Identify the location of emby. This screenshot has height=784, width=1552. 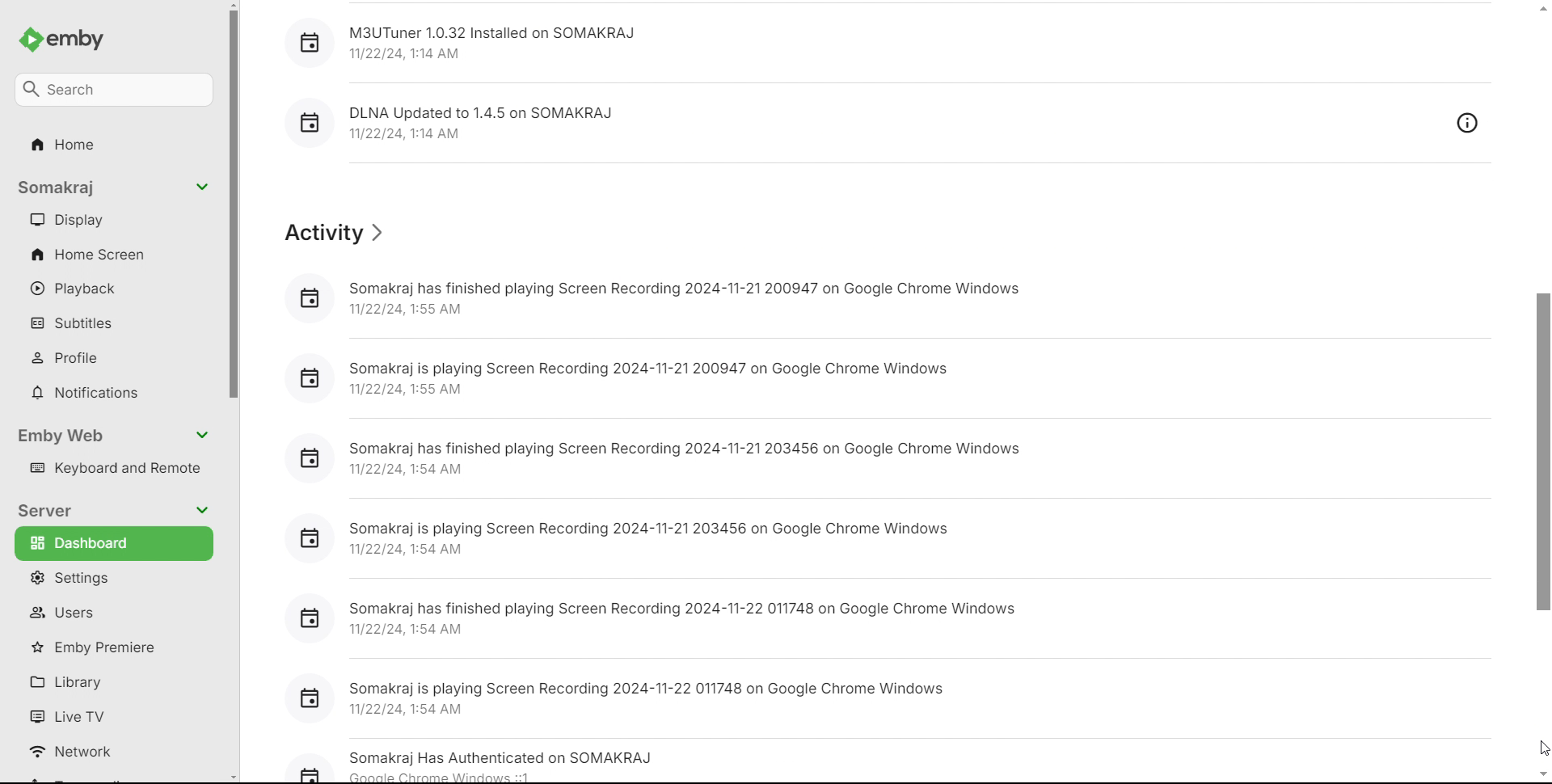
(80, 41).